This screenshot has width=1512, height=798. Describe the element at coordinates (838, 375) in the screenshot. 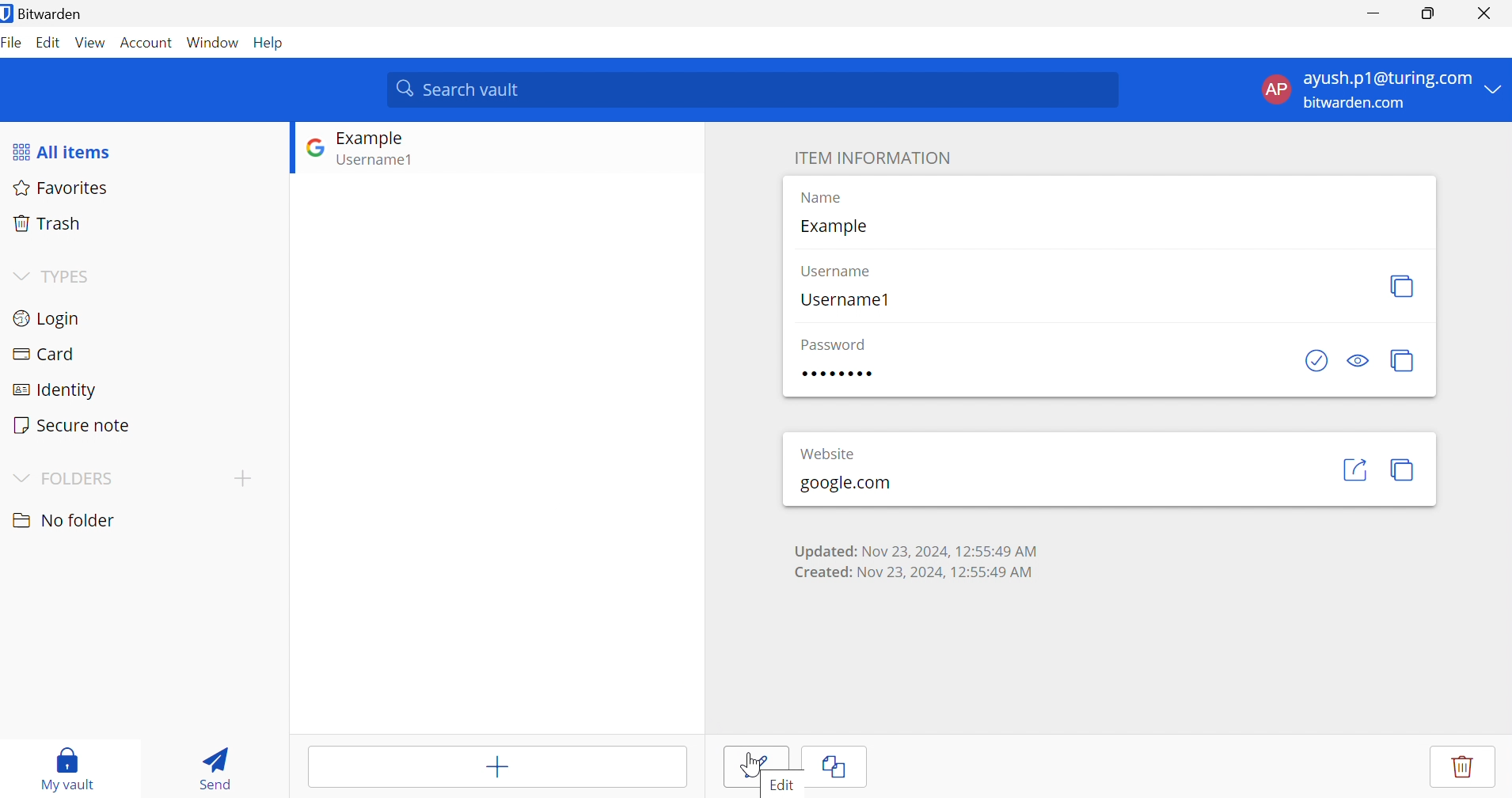

I see `Password` at that location.